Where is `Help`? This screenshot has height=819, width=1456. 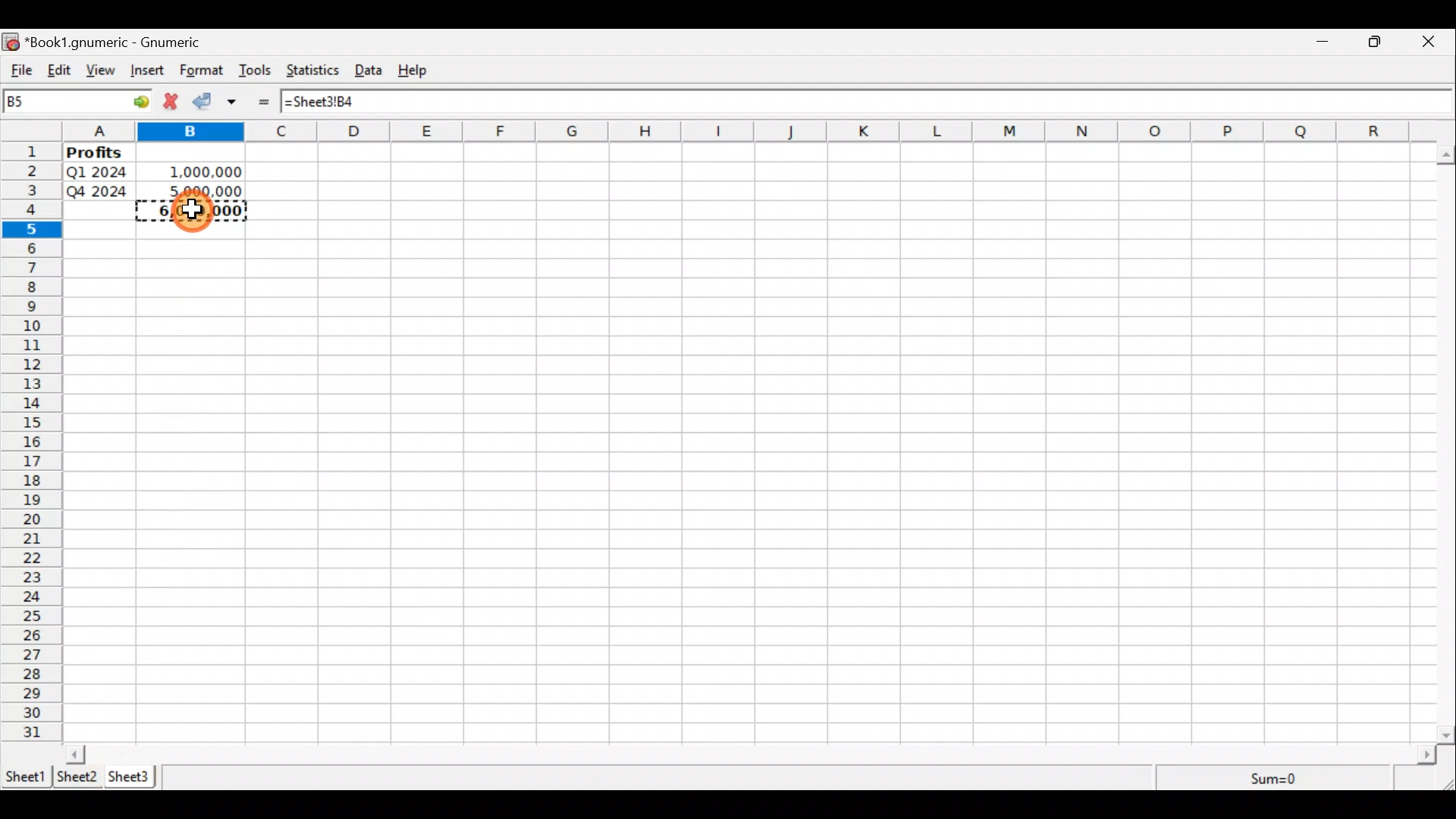
Help is located at coordinates (420, 71).